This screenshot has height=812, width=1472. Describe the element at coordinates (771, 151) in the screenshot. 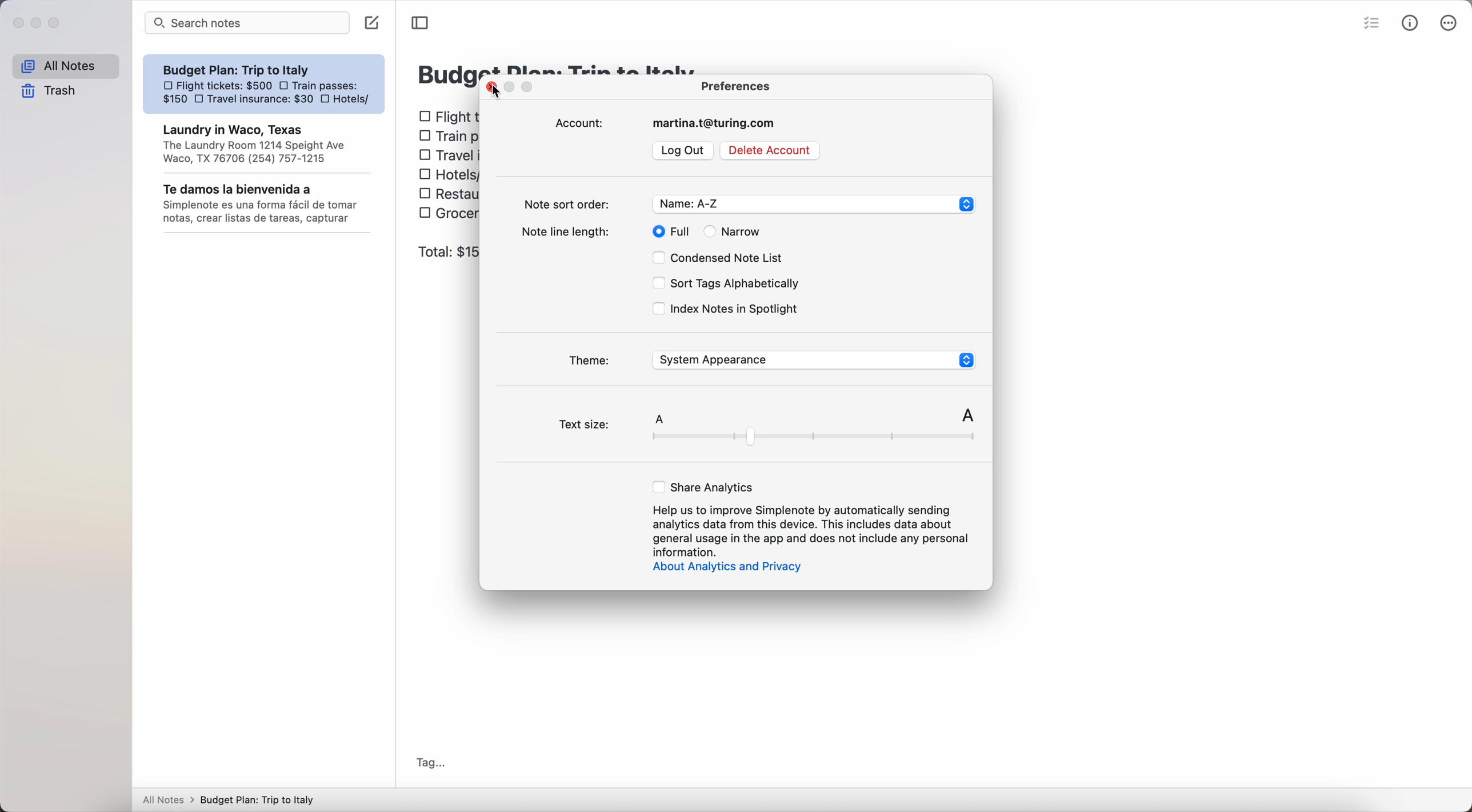

I see `delete account` at that location.